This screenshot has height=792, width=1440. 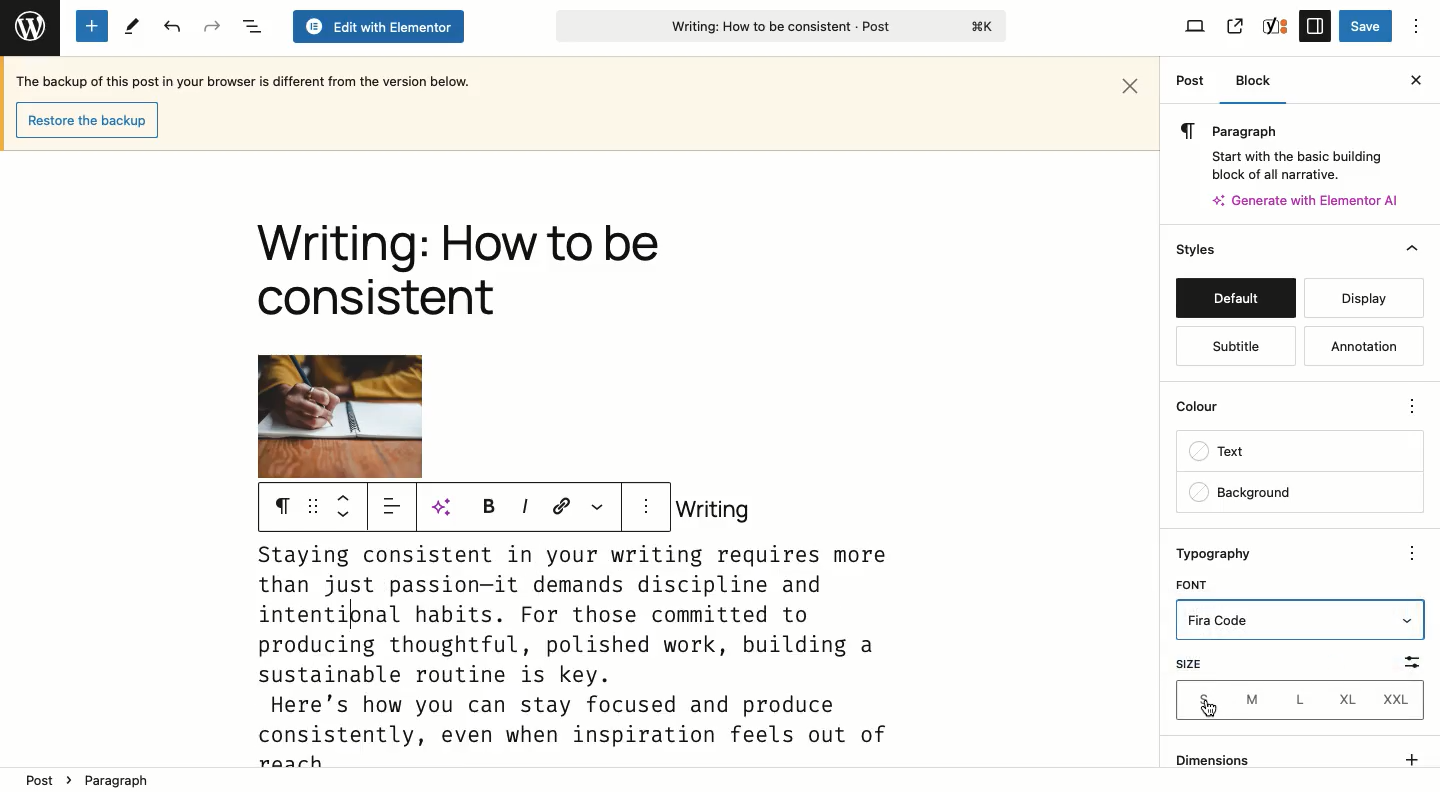 What do you see at coordinates (1406, 251) in the screenshot?
I see `Close` at bounding box center [1406, 251].